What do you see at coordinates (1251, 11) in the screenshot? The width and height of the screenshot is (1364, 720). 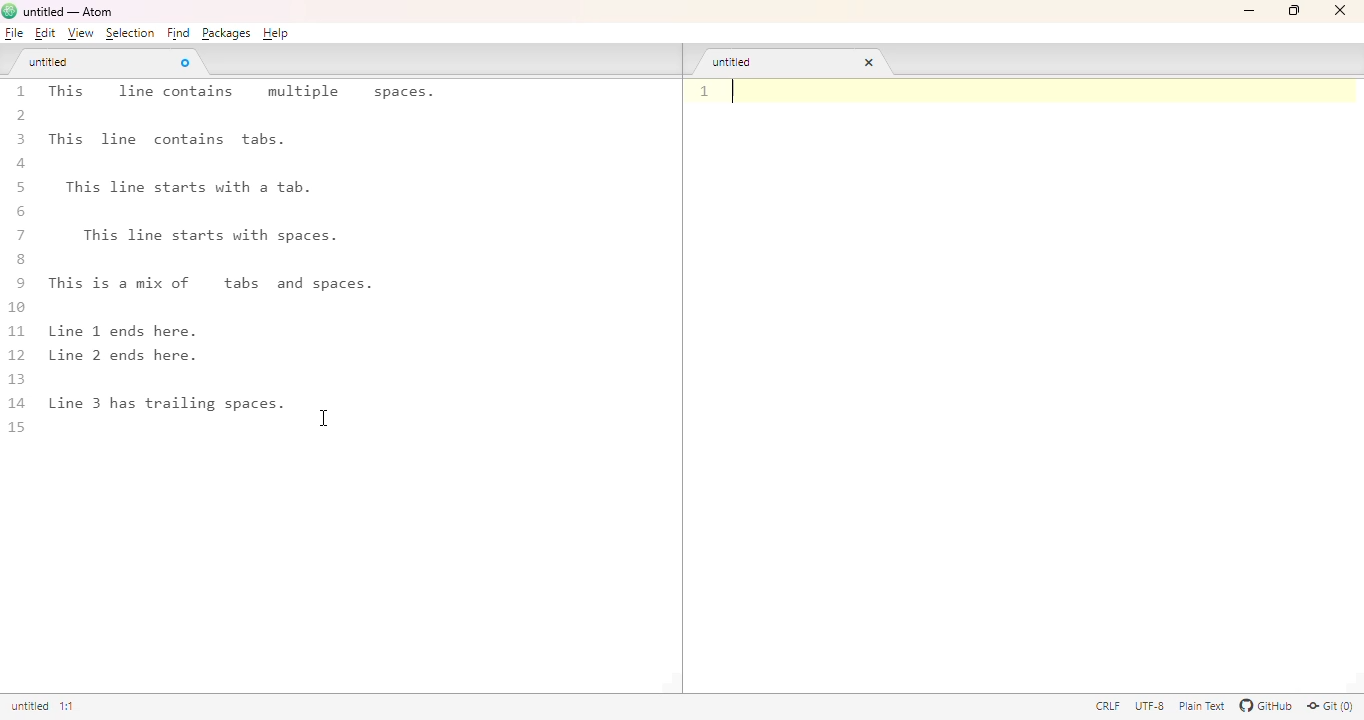 I see `minimize` at bounding box center [1251, 11].